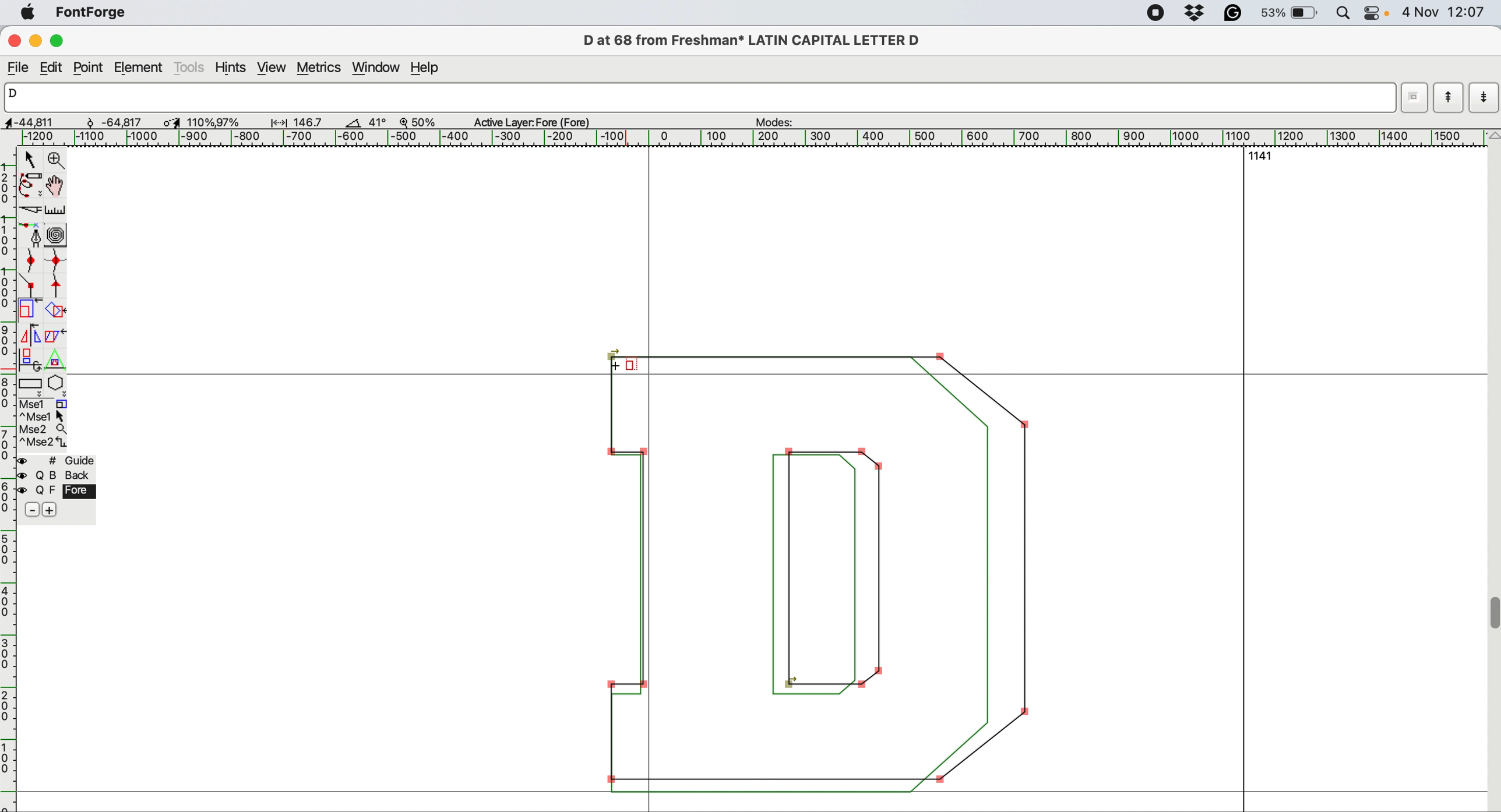 The width and height of the screenshot is (1501, 812). What do you see at coordinates (60, 287) in the screenshot?
I see `add a vantage point` at bounding box center [60, 287].